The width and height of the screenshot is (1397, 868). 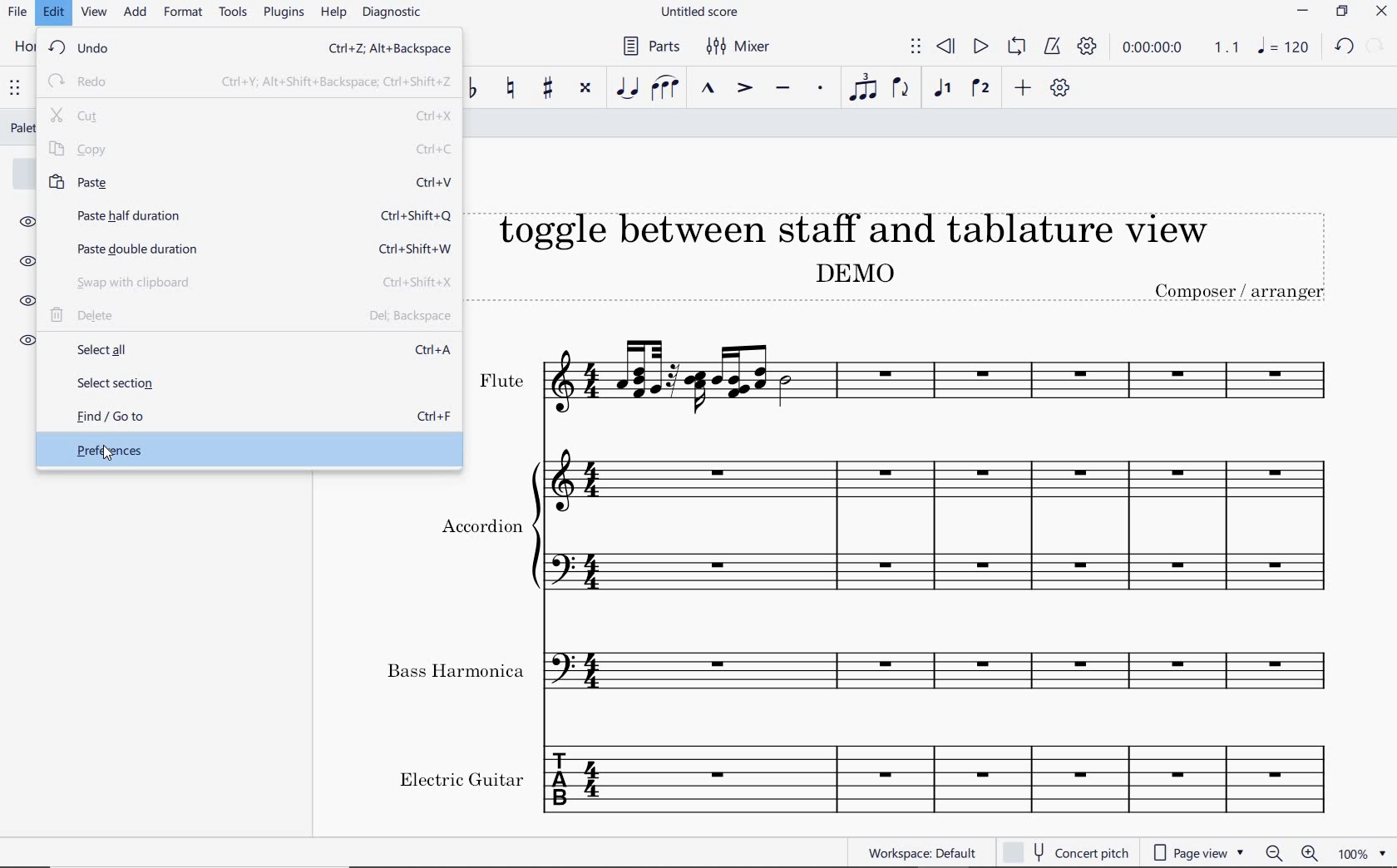 What do you see at coordinates (249, 215) in the screenshot?
I see `paste half duration` at bounding box center [249, 215].